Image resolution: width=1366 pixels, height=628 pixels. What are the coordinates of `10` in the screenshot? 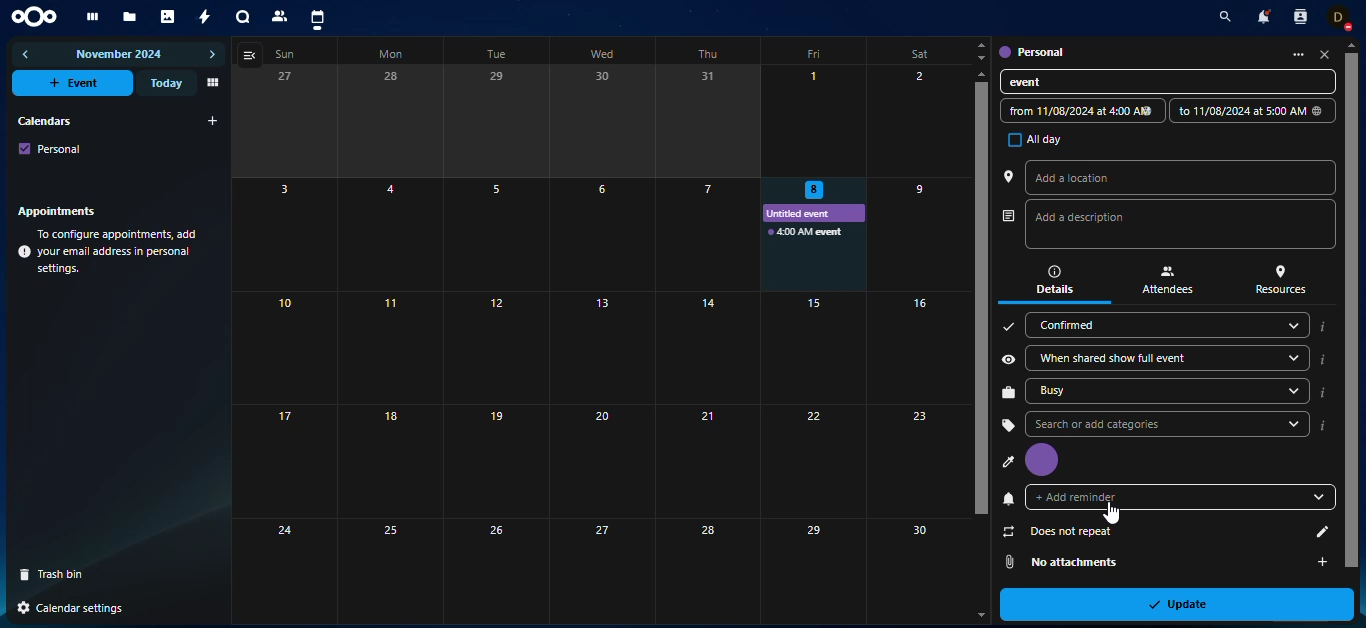 It's located at (286, 348).